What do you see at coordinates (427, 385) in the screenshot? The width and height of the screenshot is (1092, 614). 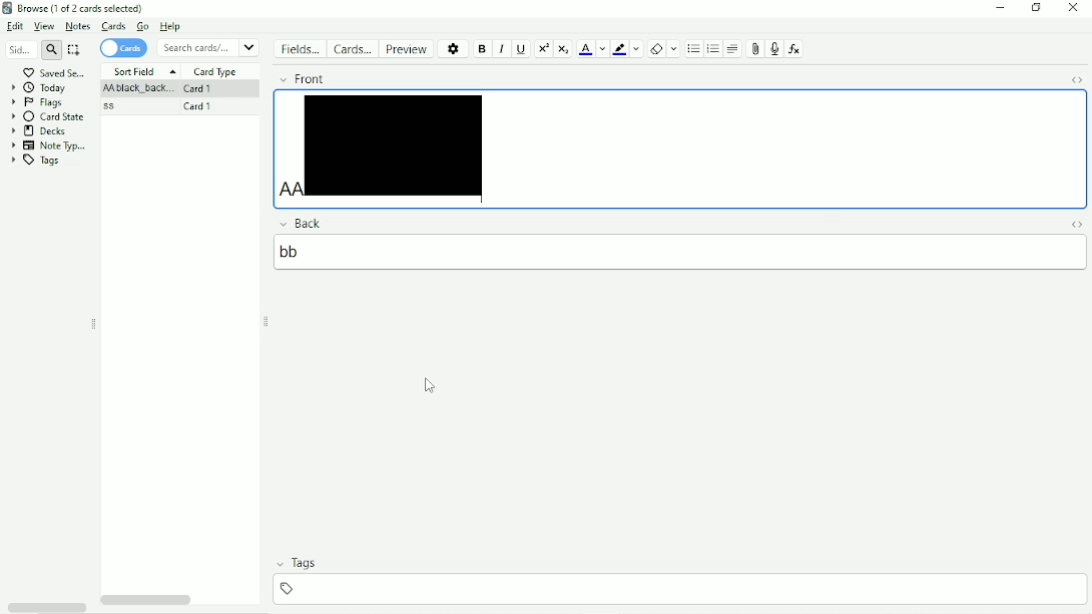 I see `Cursor` at bounding box center [427, 385].